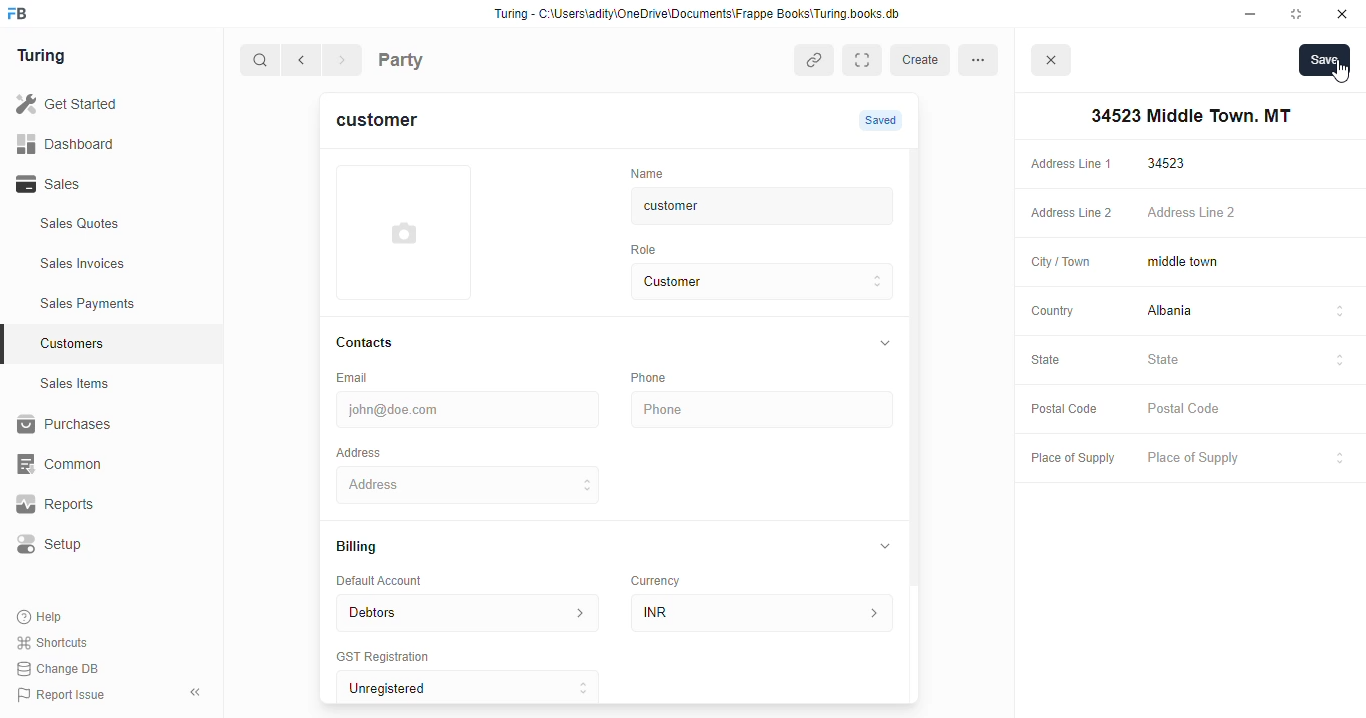 This screenshot has width=1366, height=718. I want to click on State, so click(1247, 360).